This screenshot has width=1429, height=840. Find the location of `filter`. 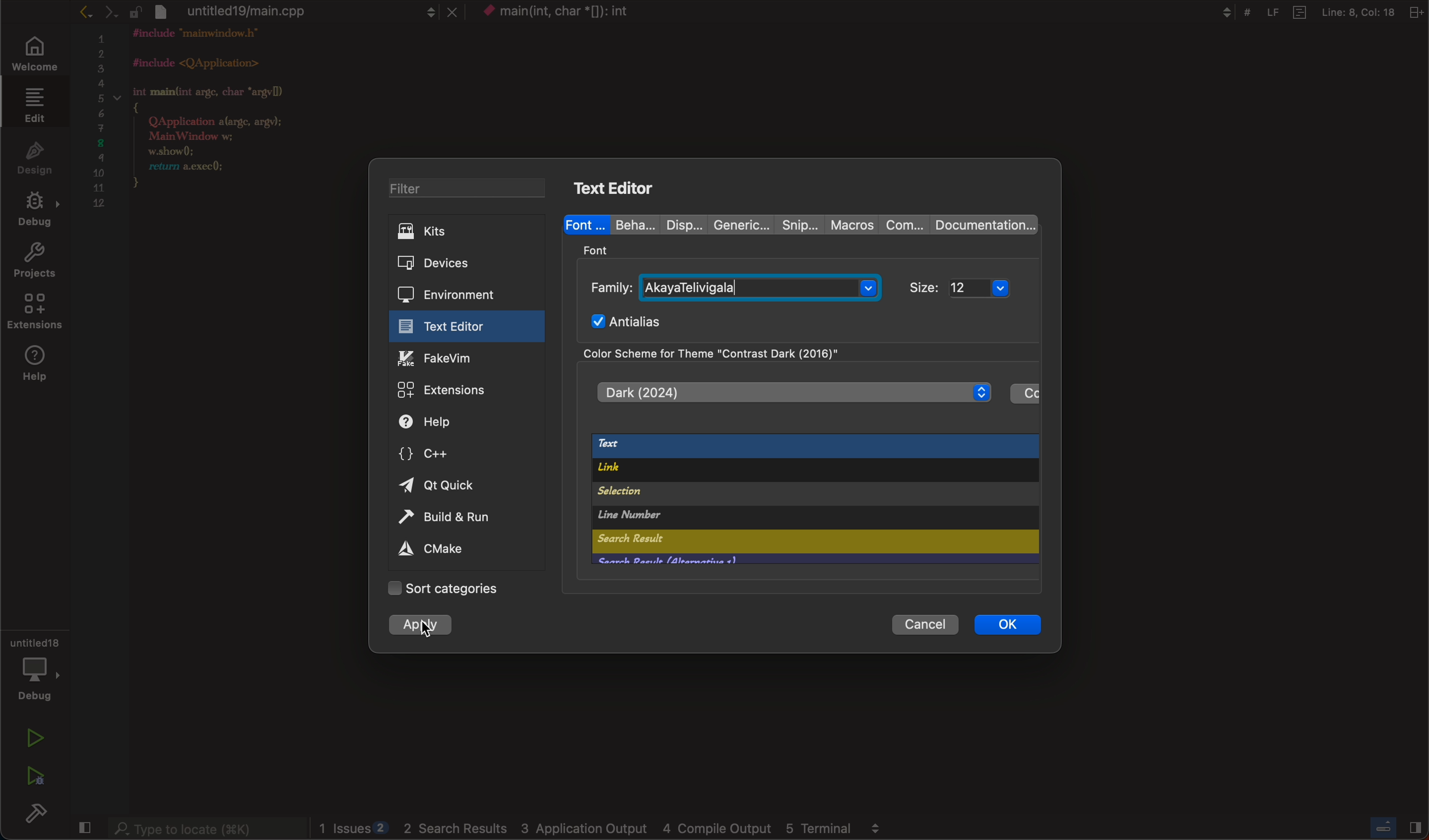

filter is located at coordinates (469, 188).